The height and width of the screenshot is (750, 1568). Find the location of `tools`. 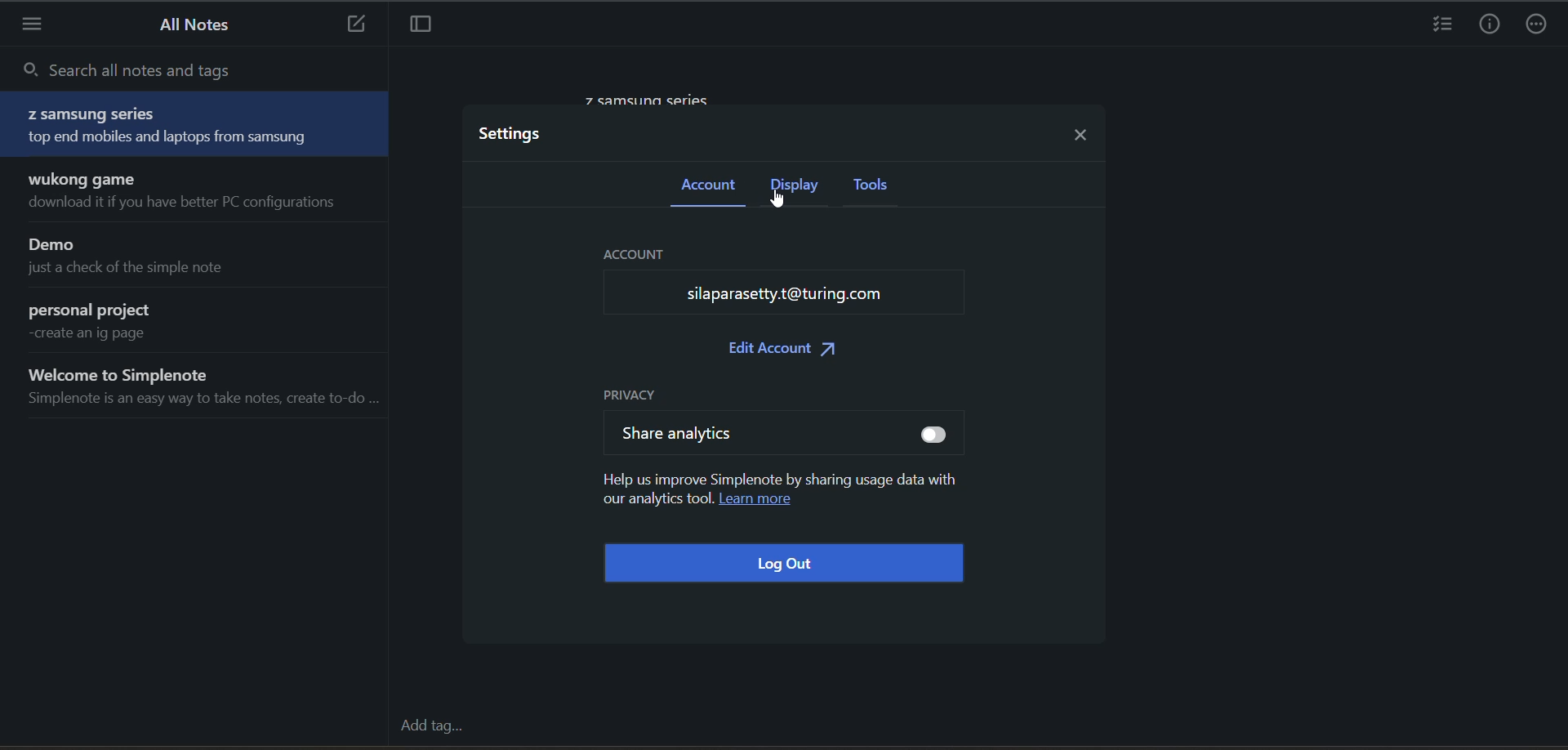

tools is located at coordinates (883, 185).